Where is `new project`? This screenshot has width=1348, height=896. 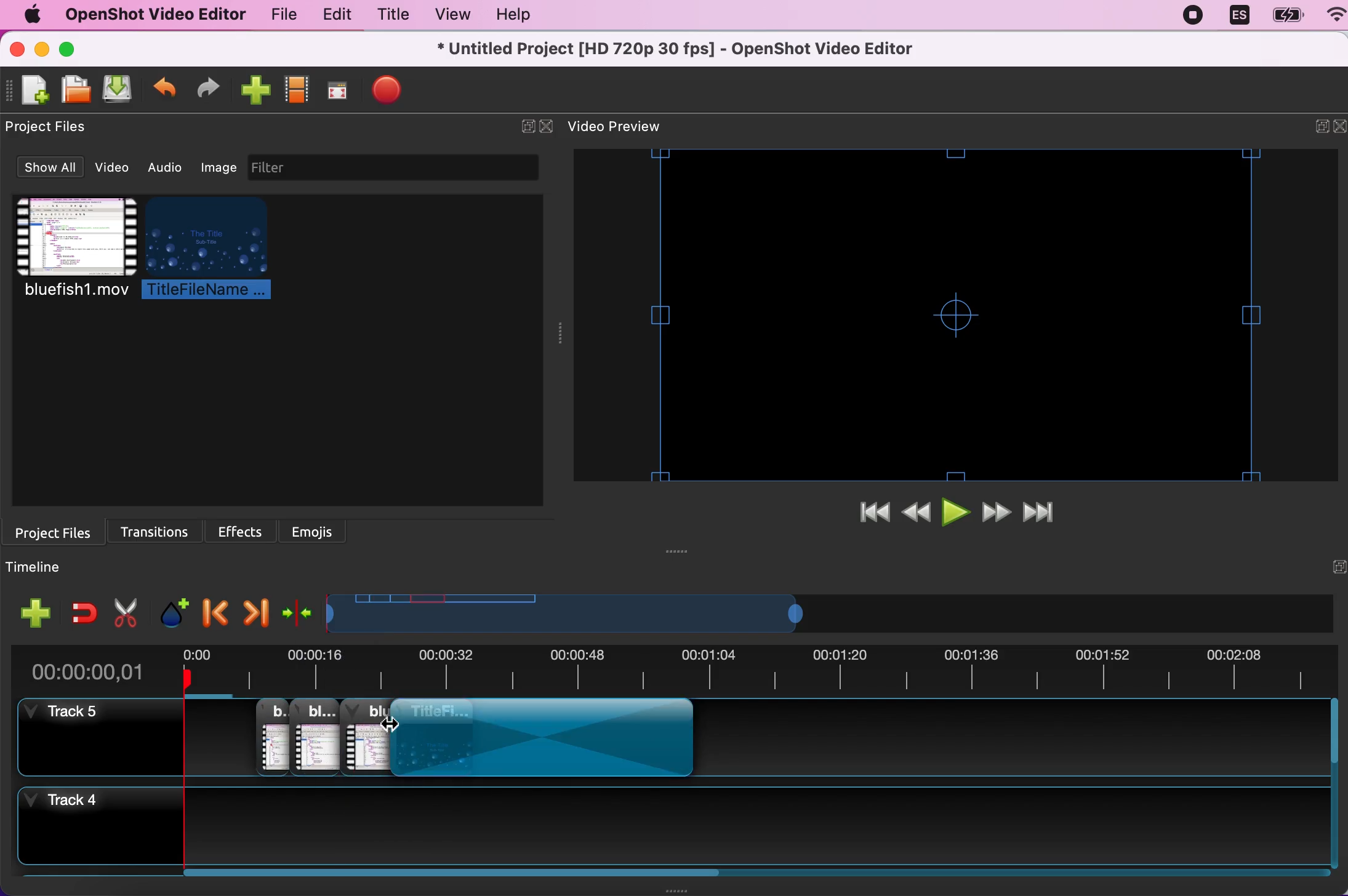
new project is located at coordinates (33, 90).